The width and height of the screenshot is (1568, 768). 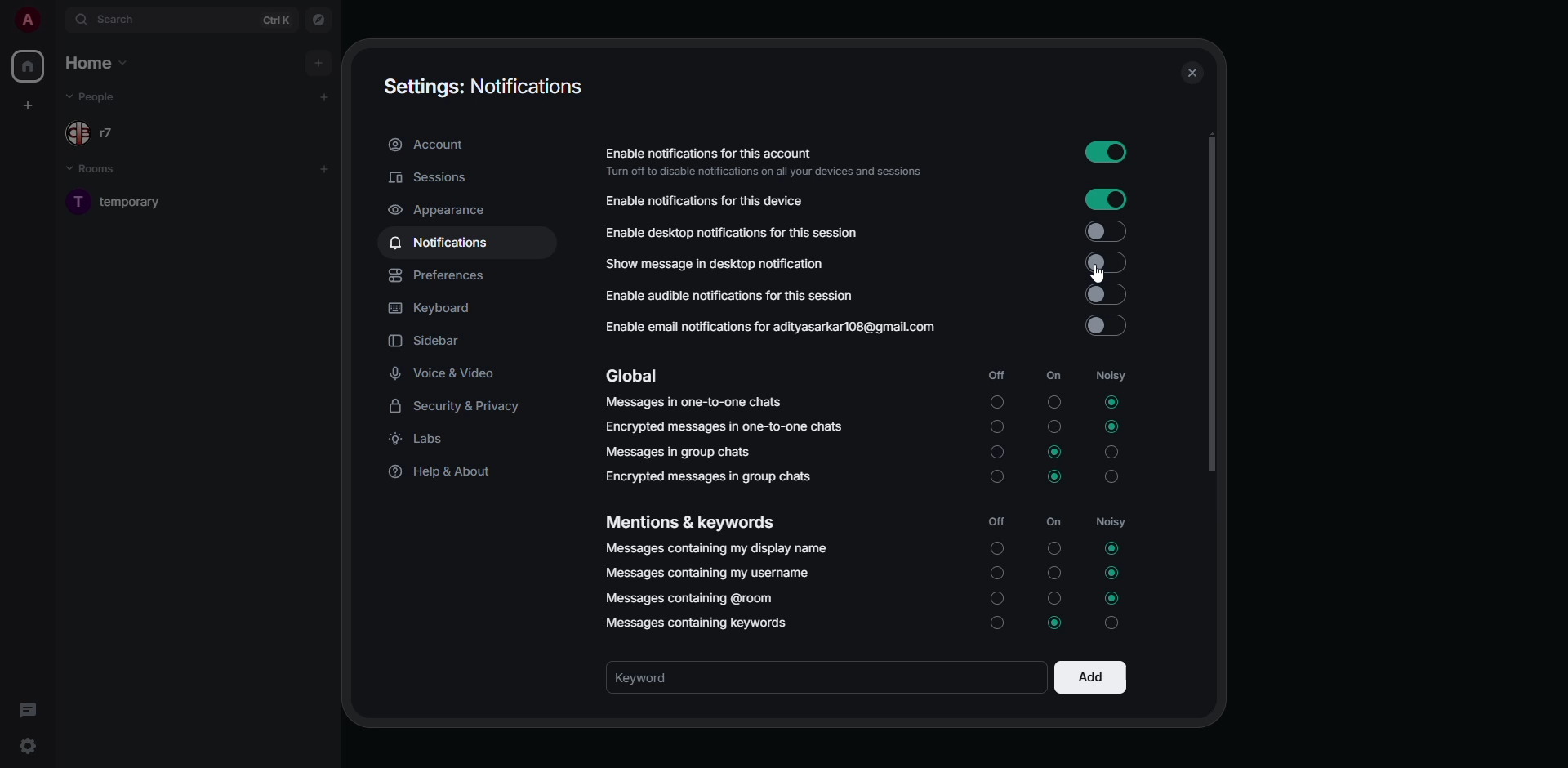 I want to click on sidebar, so click(x=427, y=340).